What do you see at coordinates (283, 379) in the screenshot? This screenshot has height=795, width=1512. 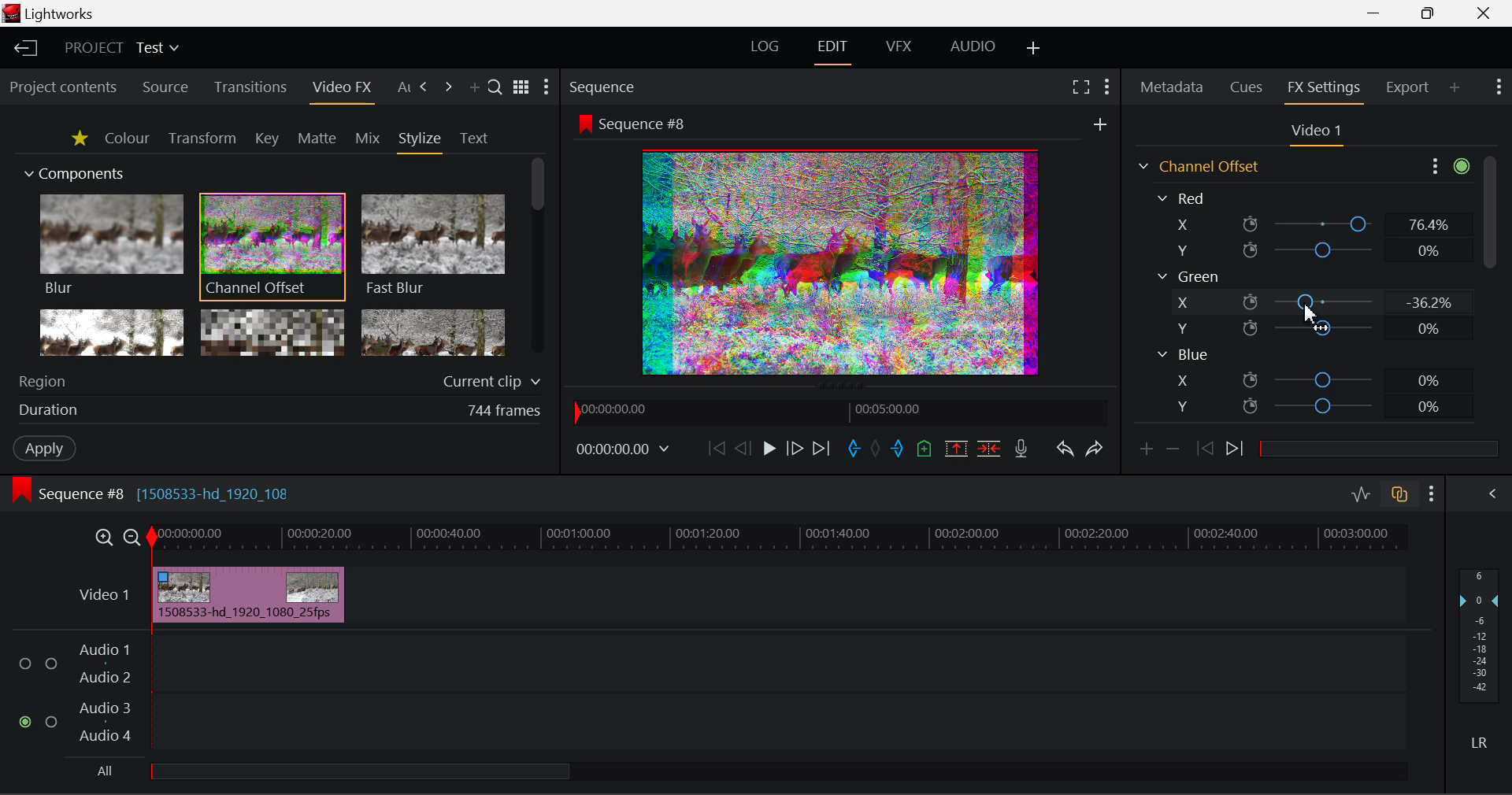 I see `Region` at bounding box center [283, 379].